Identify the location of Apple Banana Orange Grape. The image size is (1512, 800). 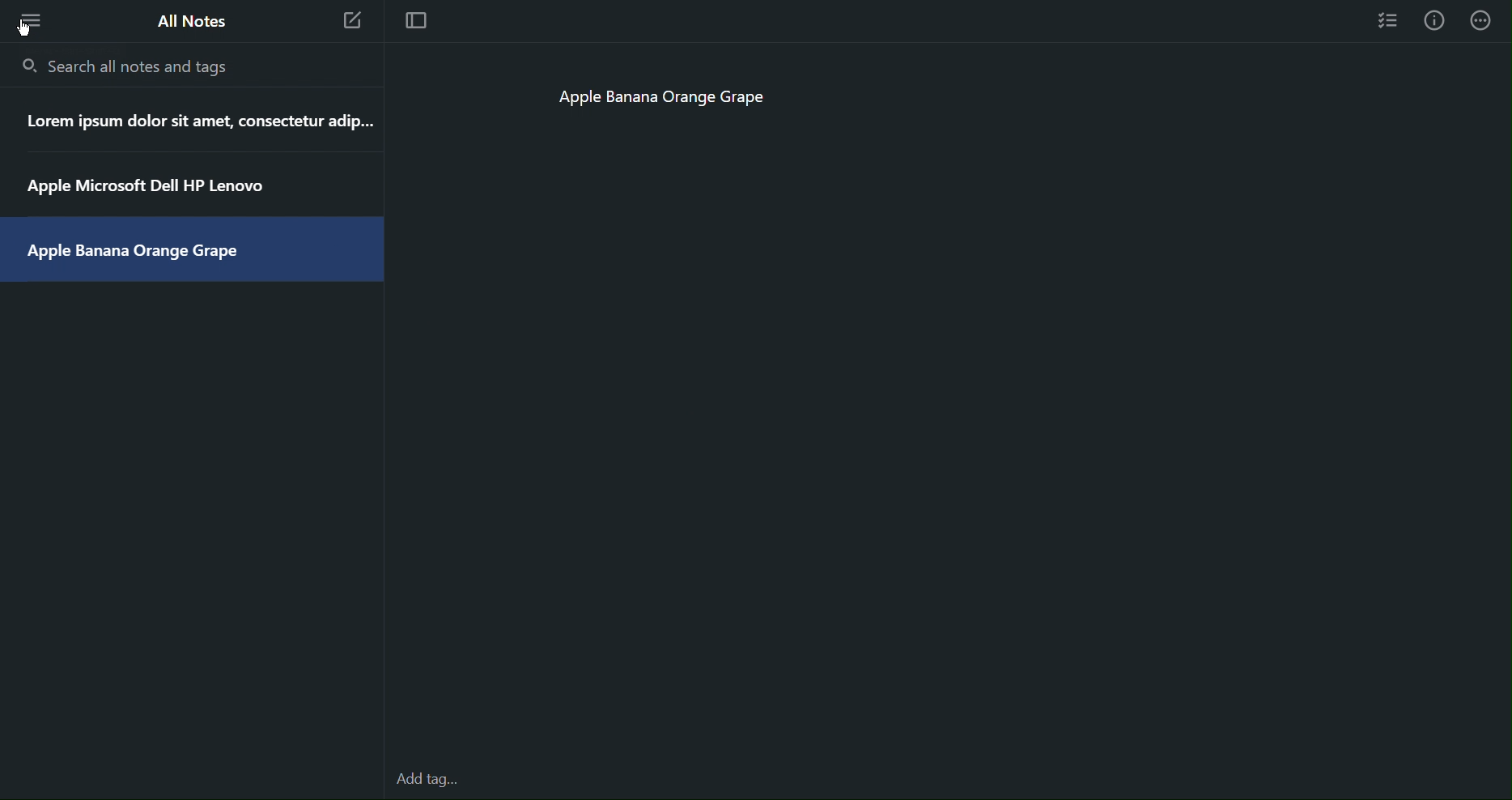
(672, 101).